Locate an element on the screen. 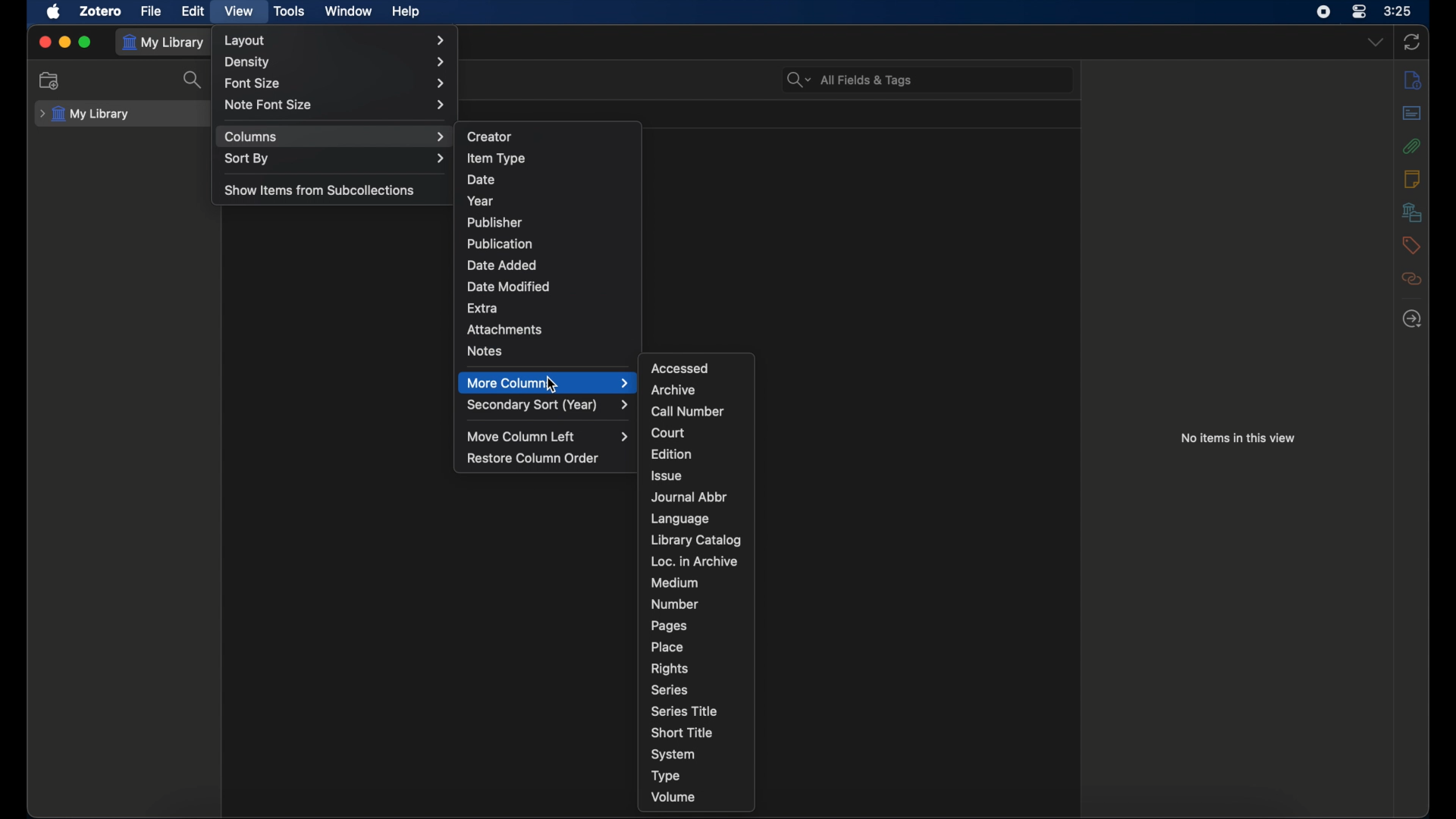 This screenshot has width=1456, height=819. attachments is located at coordinates (1411, 146).